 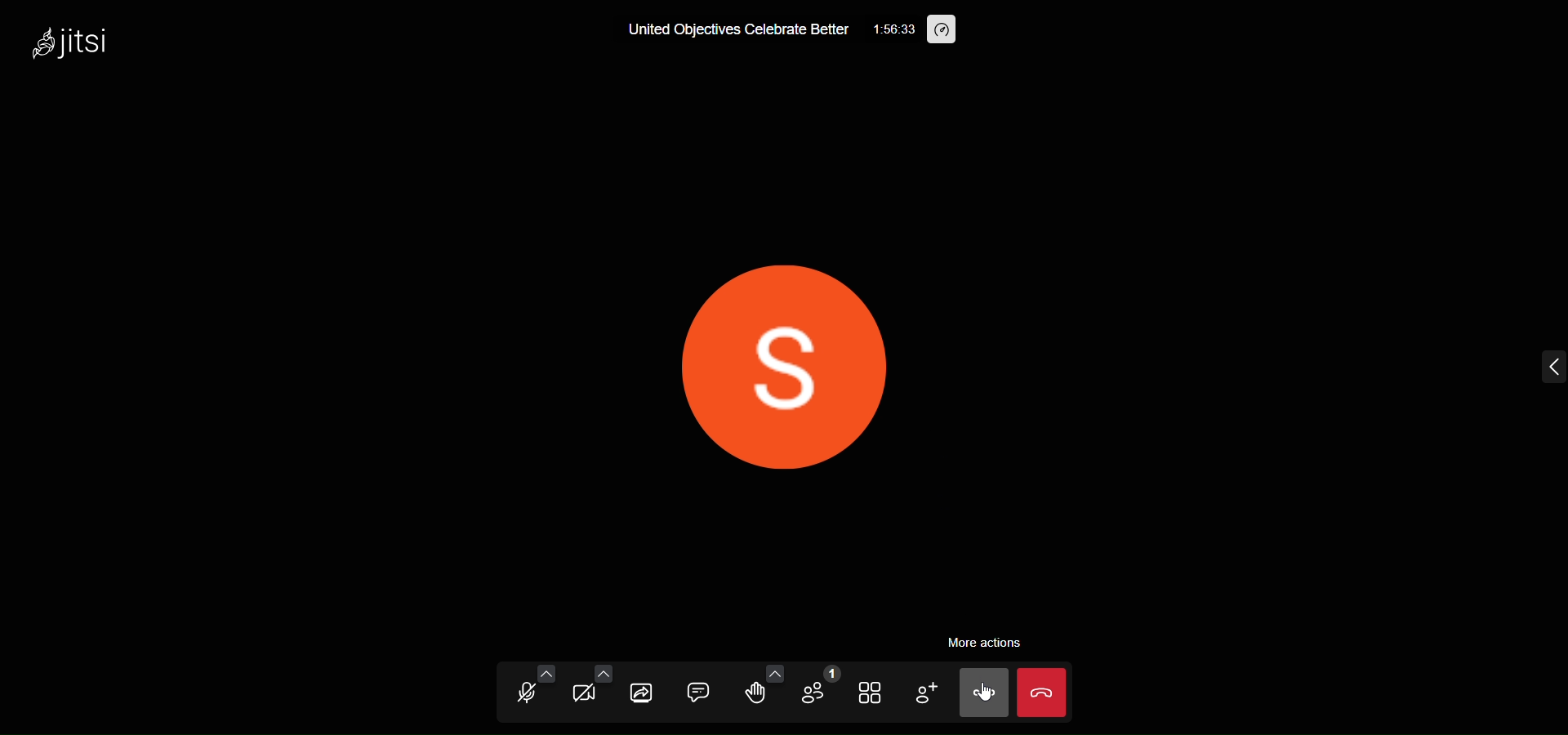 What do you see at coordinates (604, 673) in the screenshot?
I see `more video options` at bounding box center [604, 673].